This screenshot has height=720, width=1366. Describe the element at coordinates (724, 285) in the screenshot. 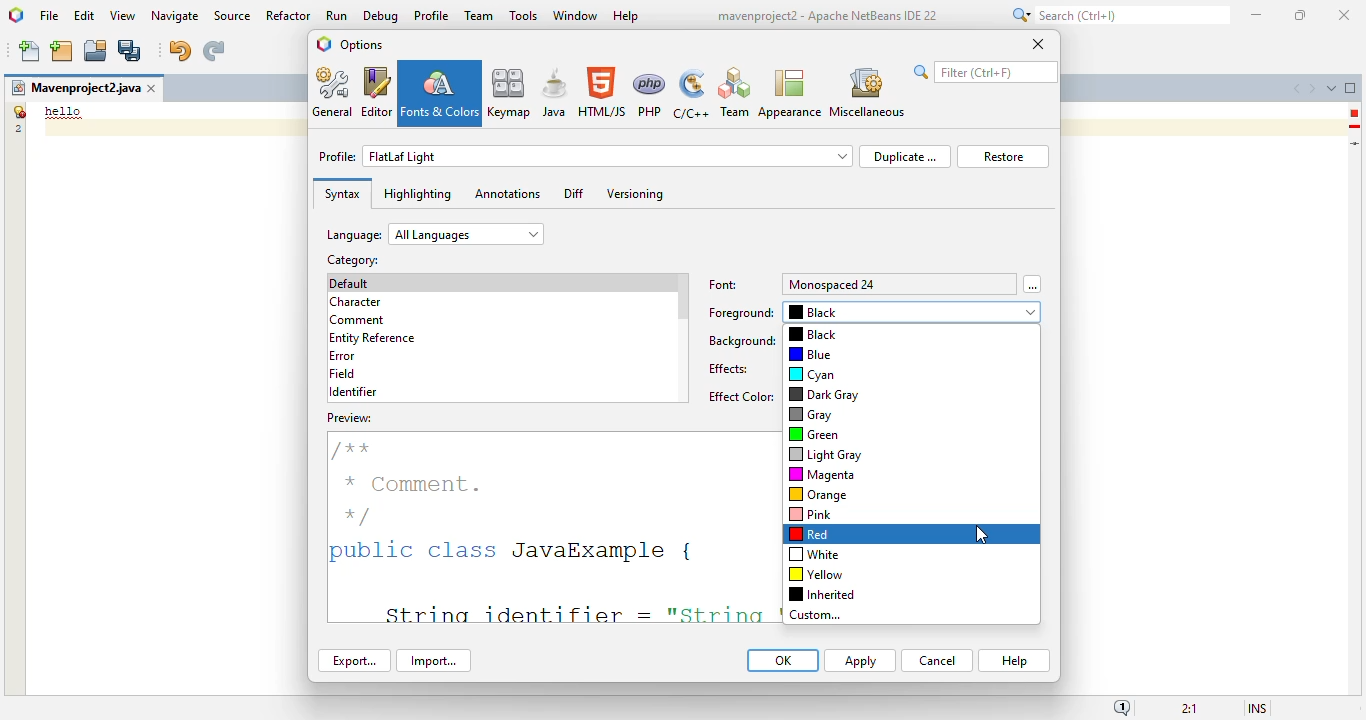

I see `font` at that location.